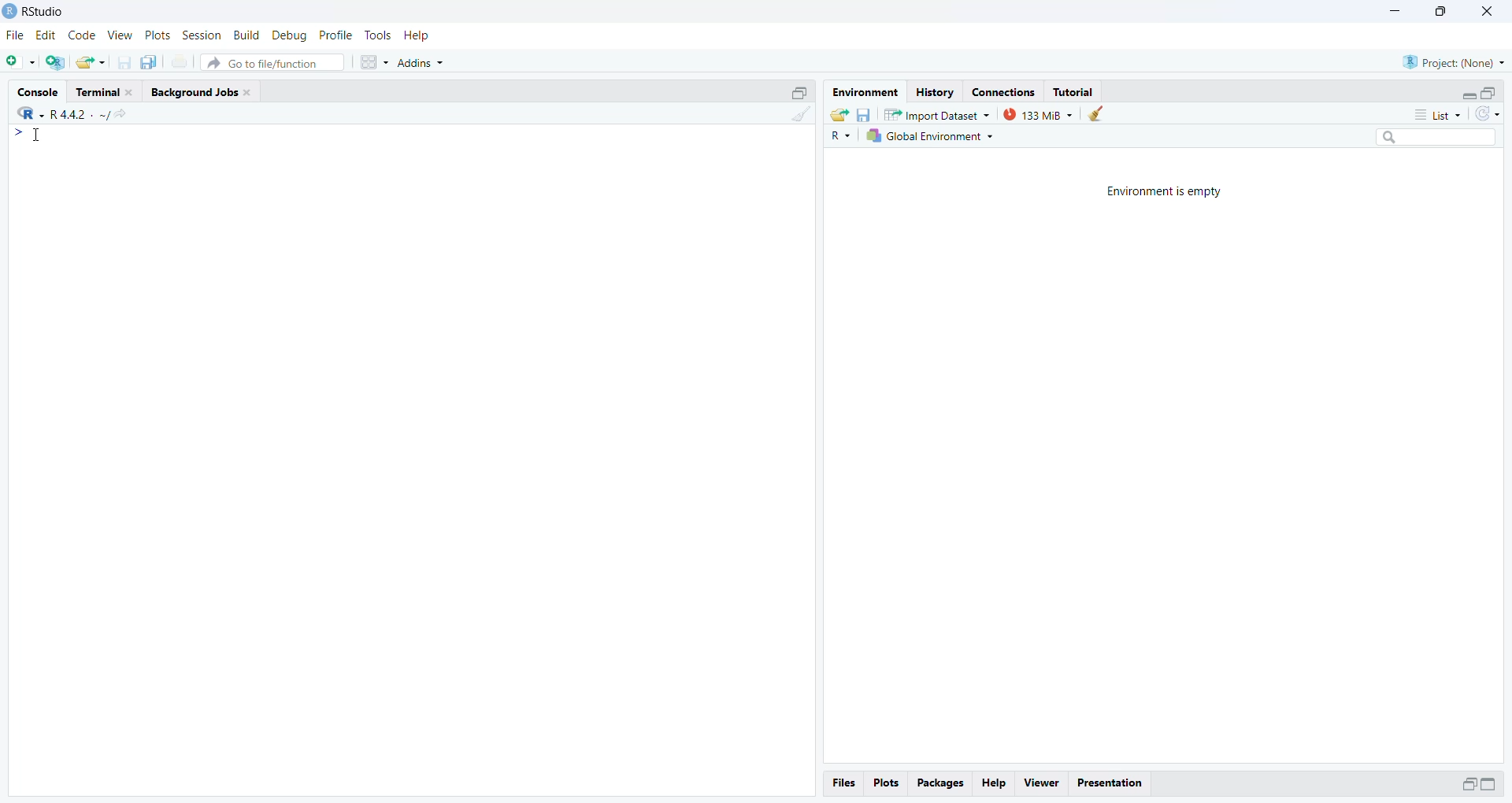  Describe the element at coordinates (337, 37) in the screenshot. I see `Profile` at that location.